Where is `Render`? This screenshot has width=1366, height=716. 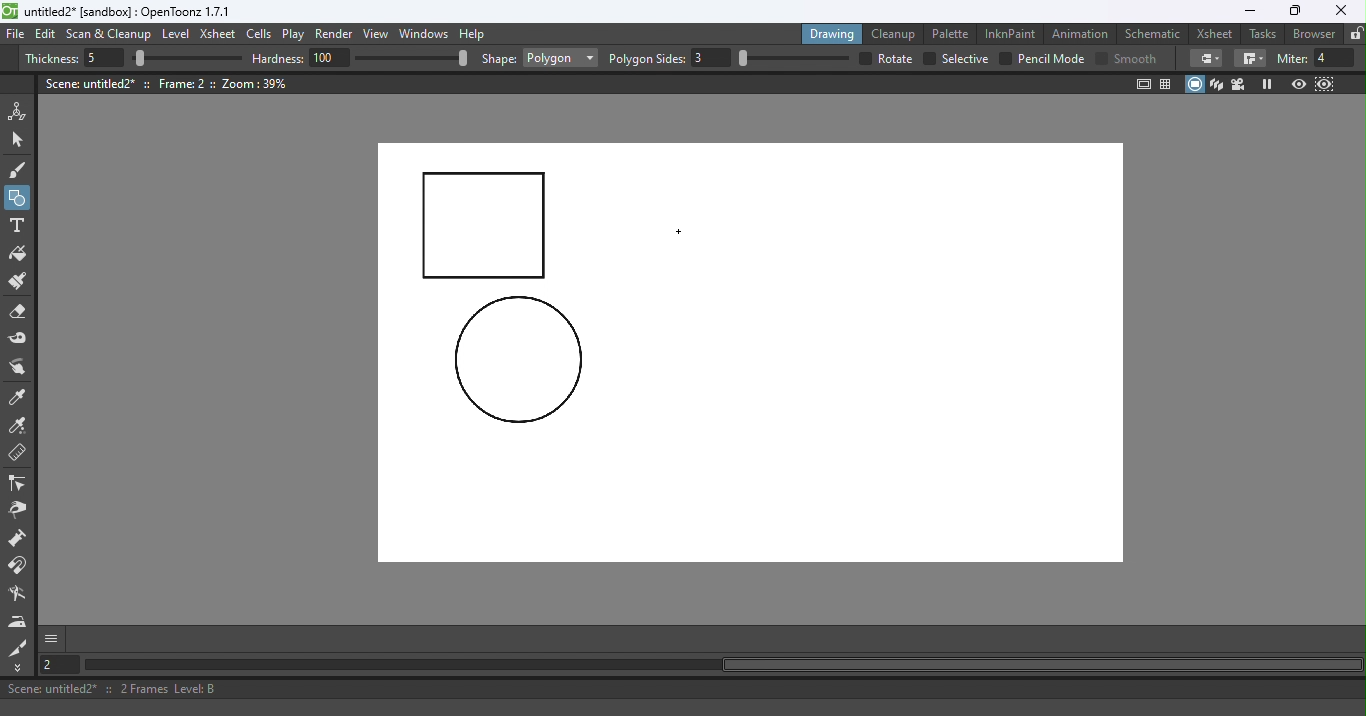
Render is located at coordinates (337, 35).